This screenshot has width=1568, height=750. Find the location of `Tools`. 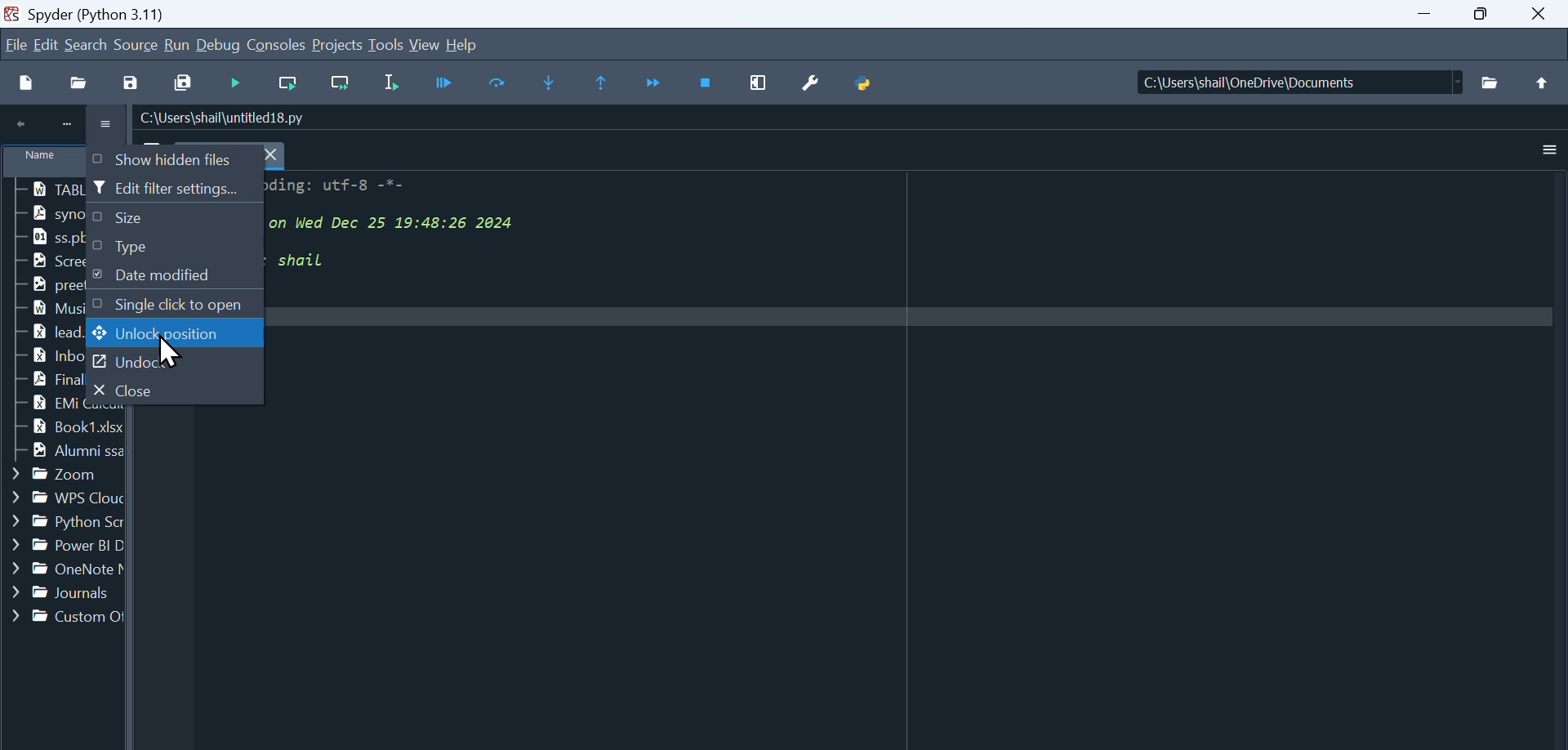

Tools is located at coordinates (388, 45).